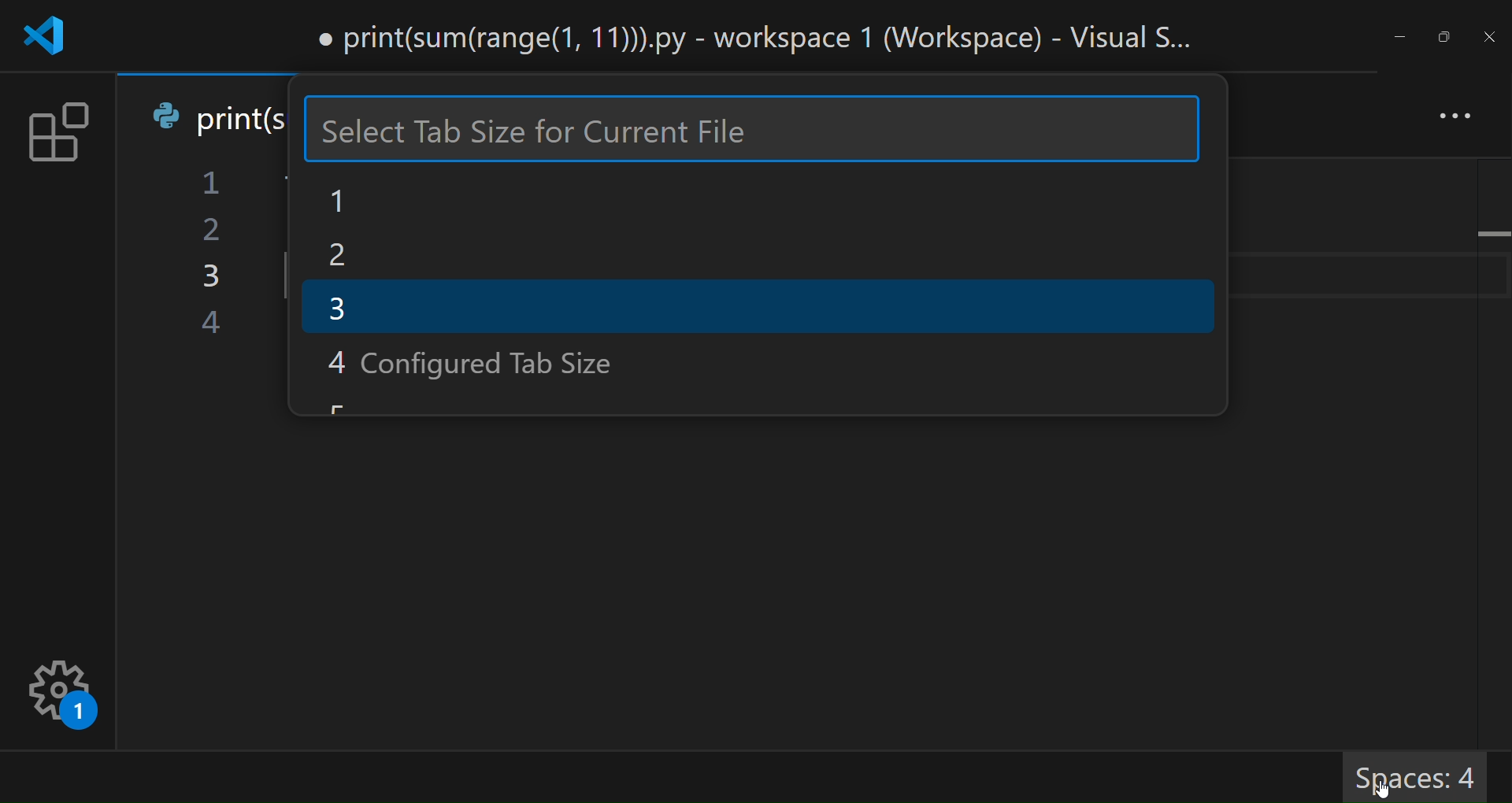 The width and height of the screenshot is (1512, 803). Describe the element at coordinates (754, 131) in the screenshot. I see `type size here` at that location.